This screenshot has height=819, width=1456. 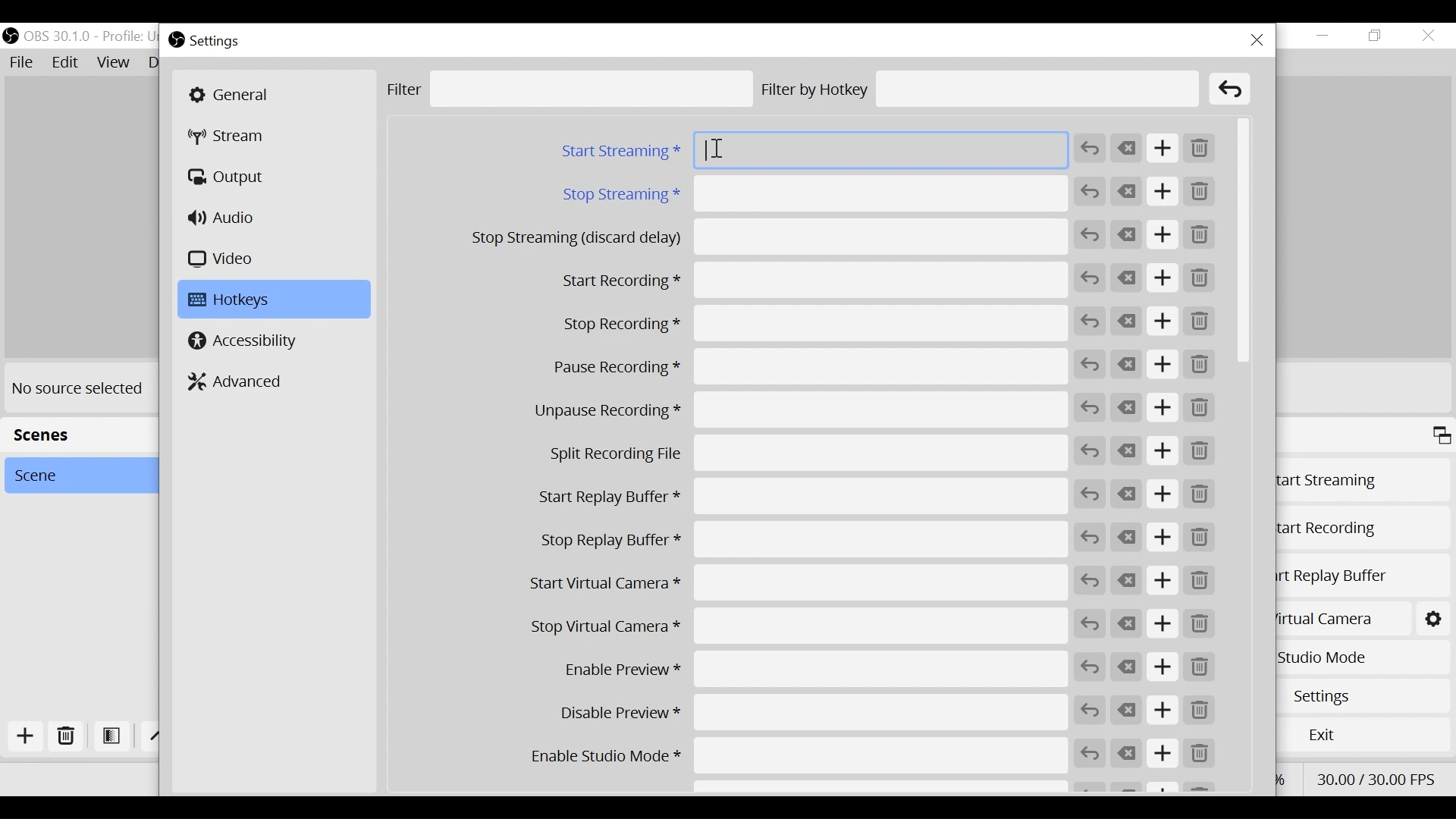 What do you see at coordinates (1090, 753) in the screenshot?
I see `Revert` at bounding box center [1090, 753].